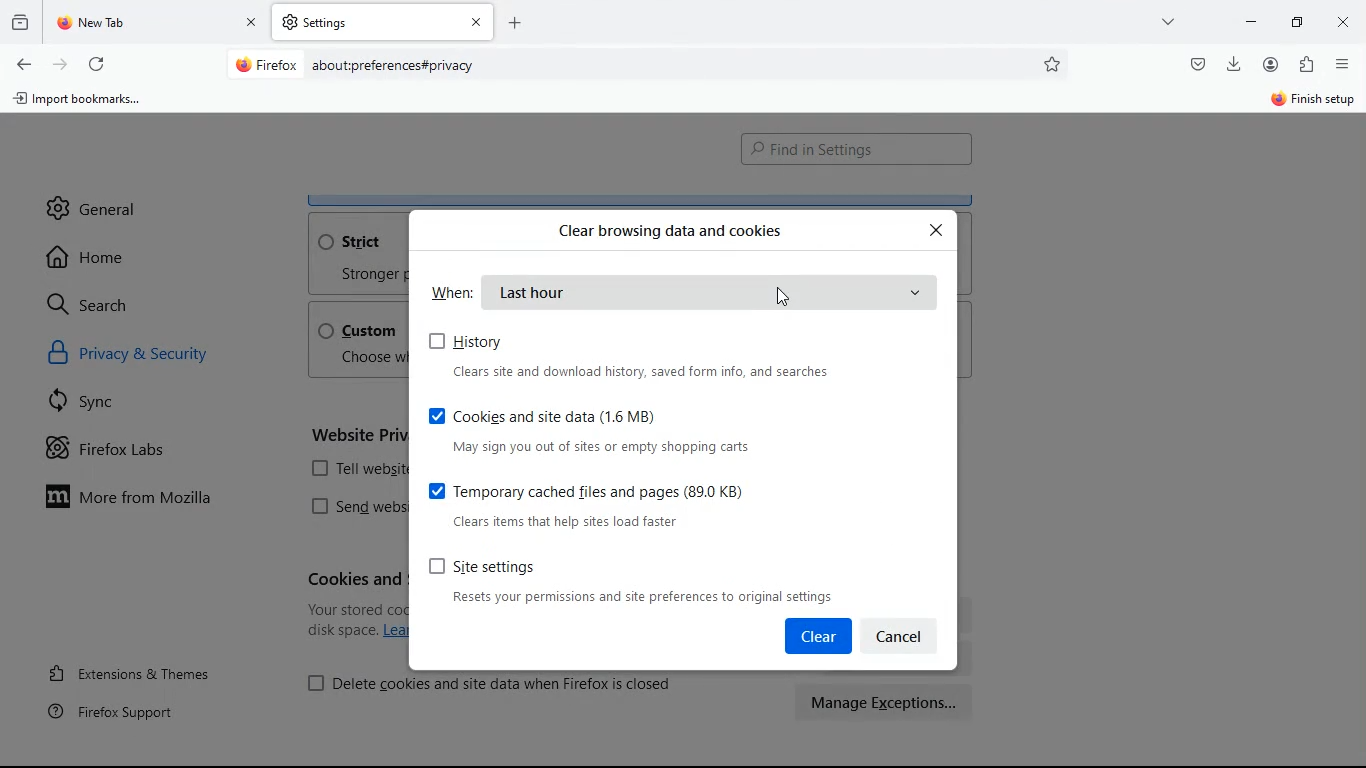  What do you see at coordinates (1171, 21) in the screenshot?
I see `more` at bounding box center [1171, 21].